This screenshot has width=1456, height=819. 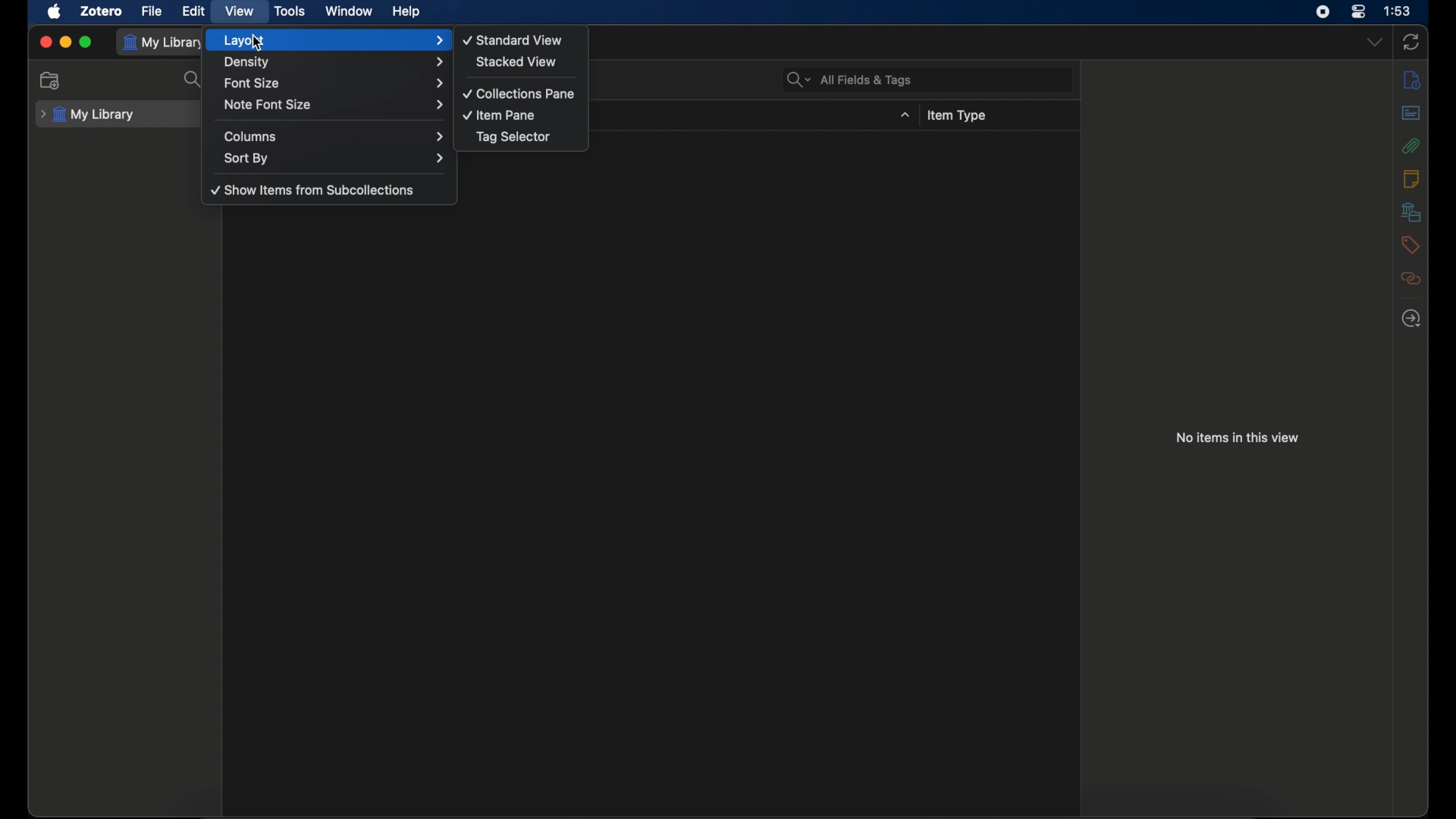 What do you see at coordinates (500, 115) in the screenshot?
I see `item pane` at bounding box center [500, 115].